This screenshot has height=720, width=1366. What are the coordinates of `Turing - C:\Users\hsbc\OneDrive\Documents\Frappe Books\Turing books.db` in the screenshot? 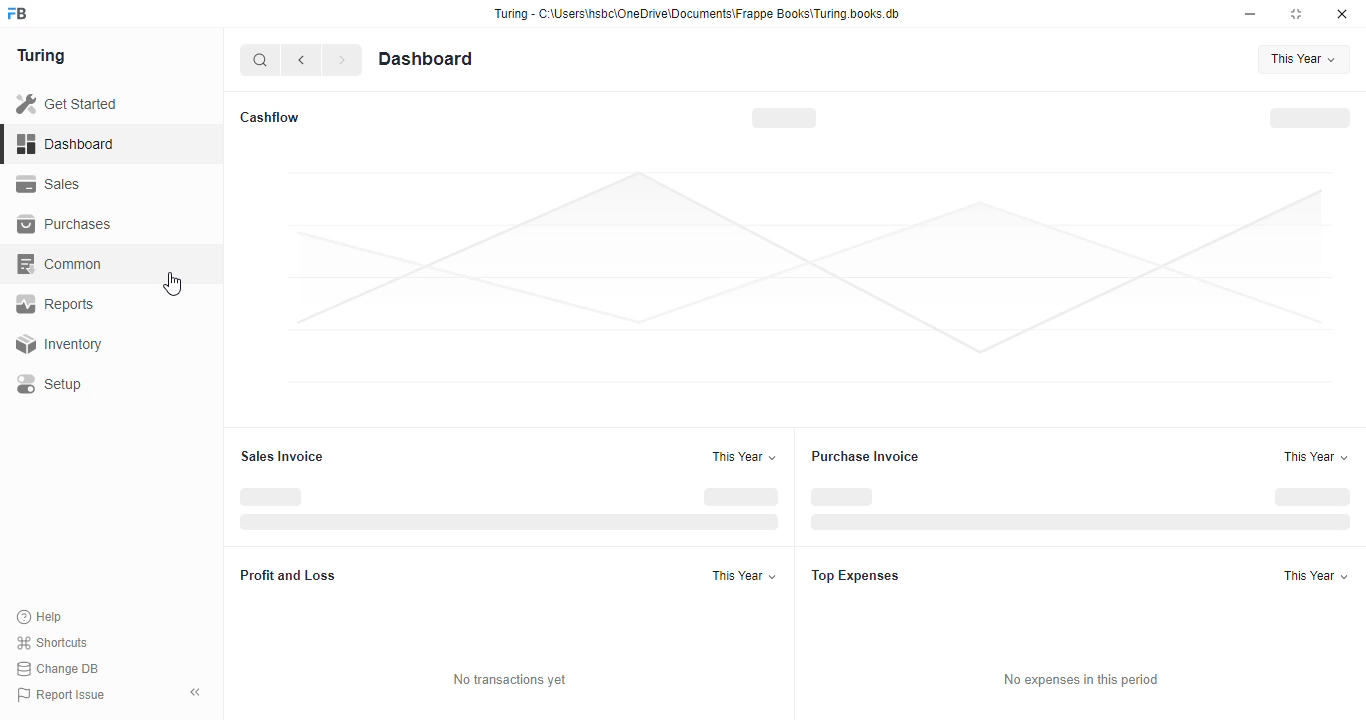 It's located at (696, 14).